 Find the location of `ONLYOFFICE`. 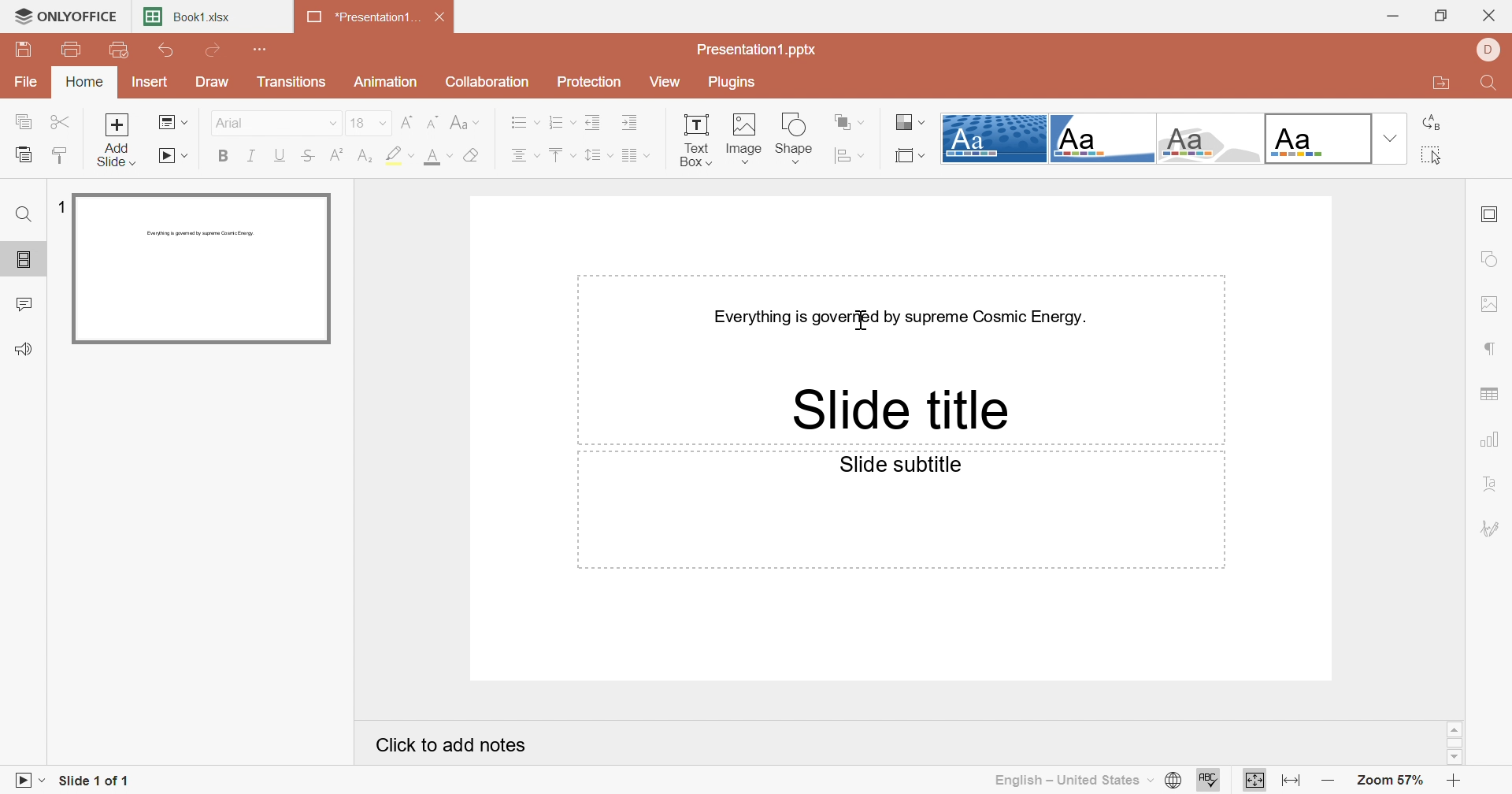

ONLYOFFICE is located at coordinates (69, 17).